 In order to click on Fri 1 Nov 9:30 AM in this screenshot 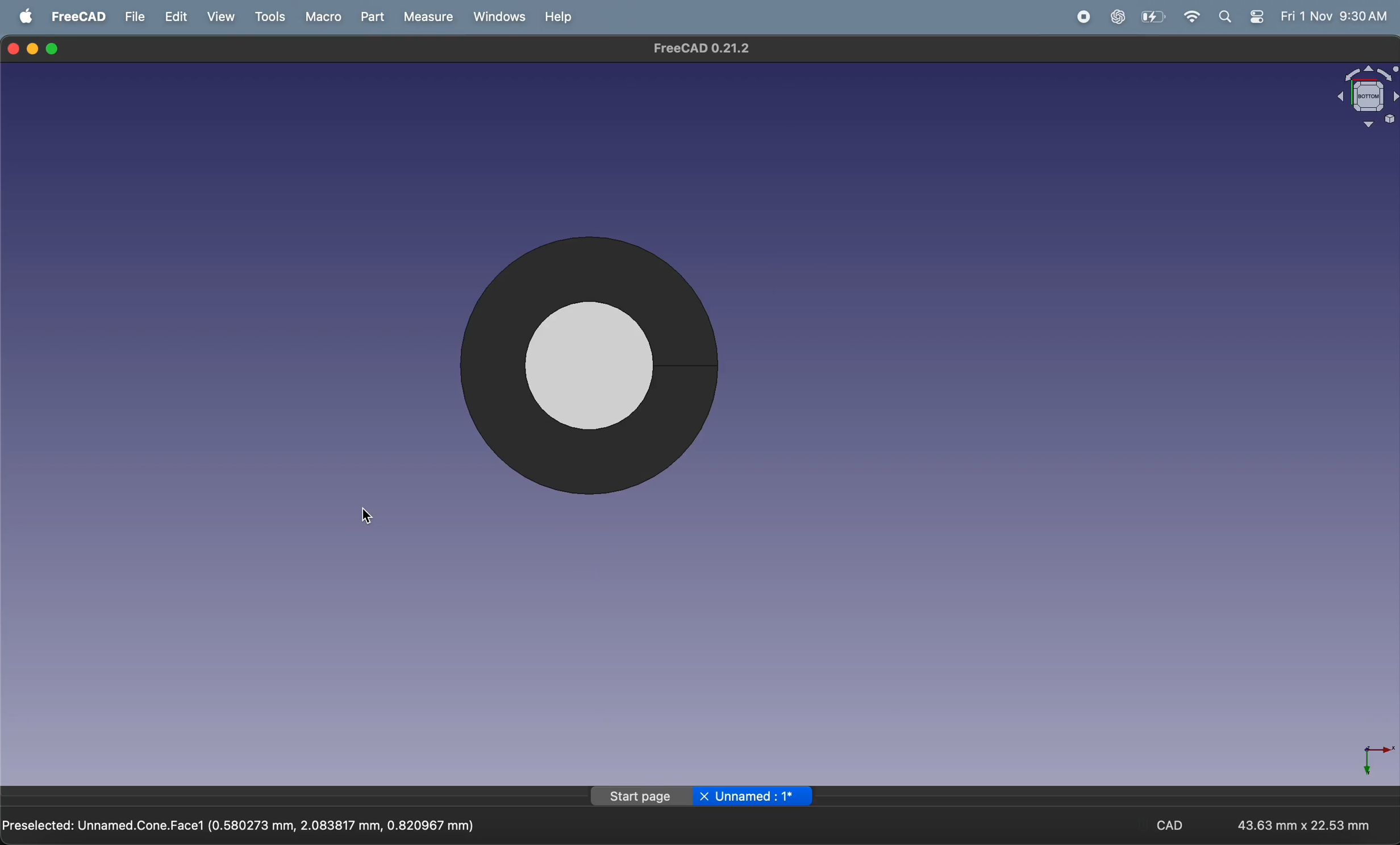, I will do `click(1333, 16)`.